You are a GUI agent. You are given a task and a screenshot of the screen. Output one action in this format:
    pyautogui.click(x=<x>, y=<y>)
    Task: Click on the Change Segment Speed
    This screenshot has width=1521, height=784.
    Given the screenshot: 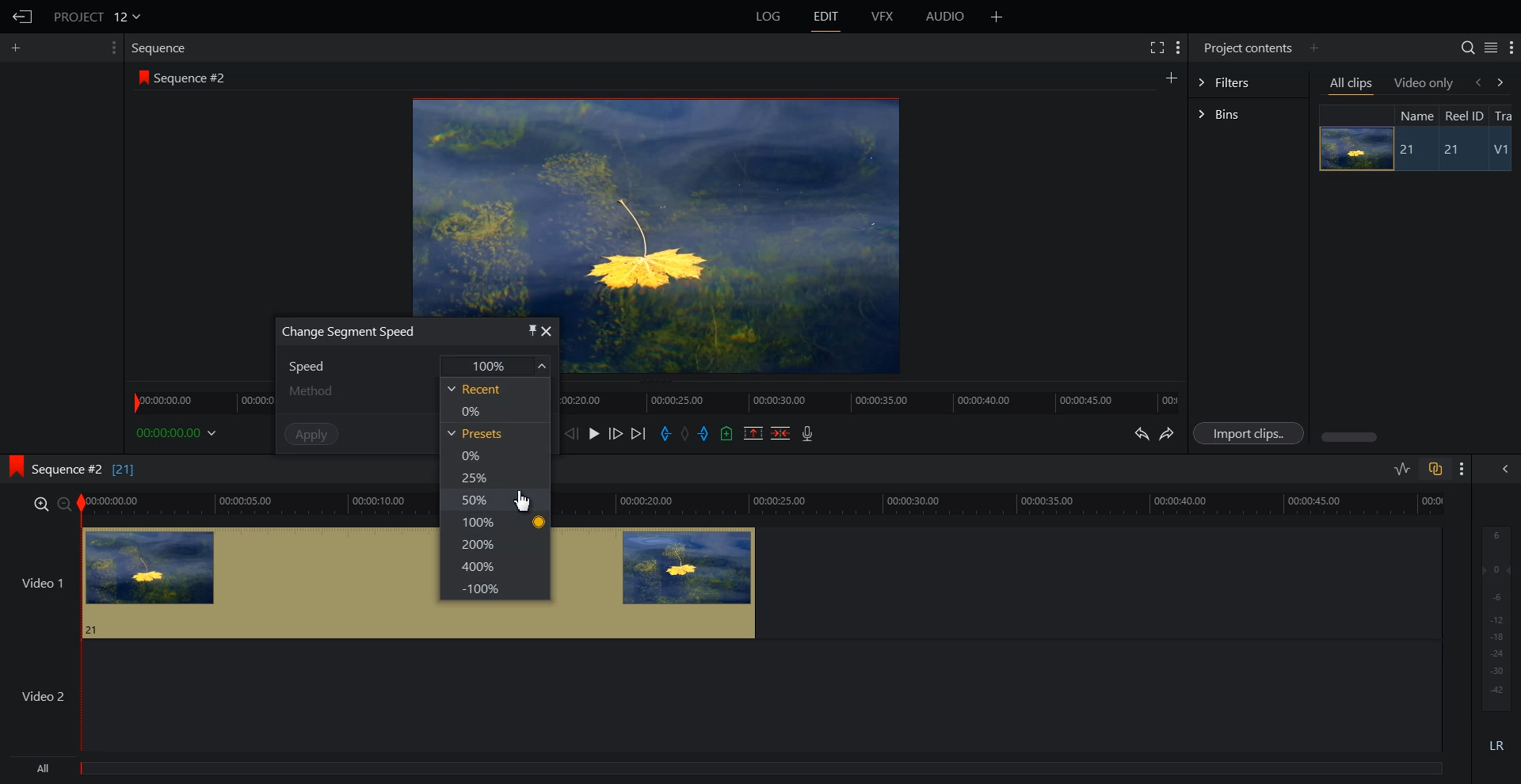 What is the action you would take?
    pyautogui.click(x=346, y=330)
    